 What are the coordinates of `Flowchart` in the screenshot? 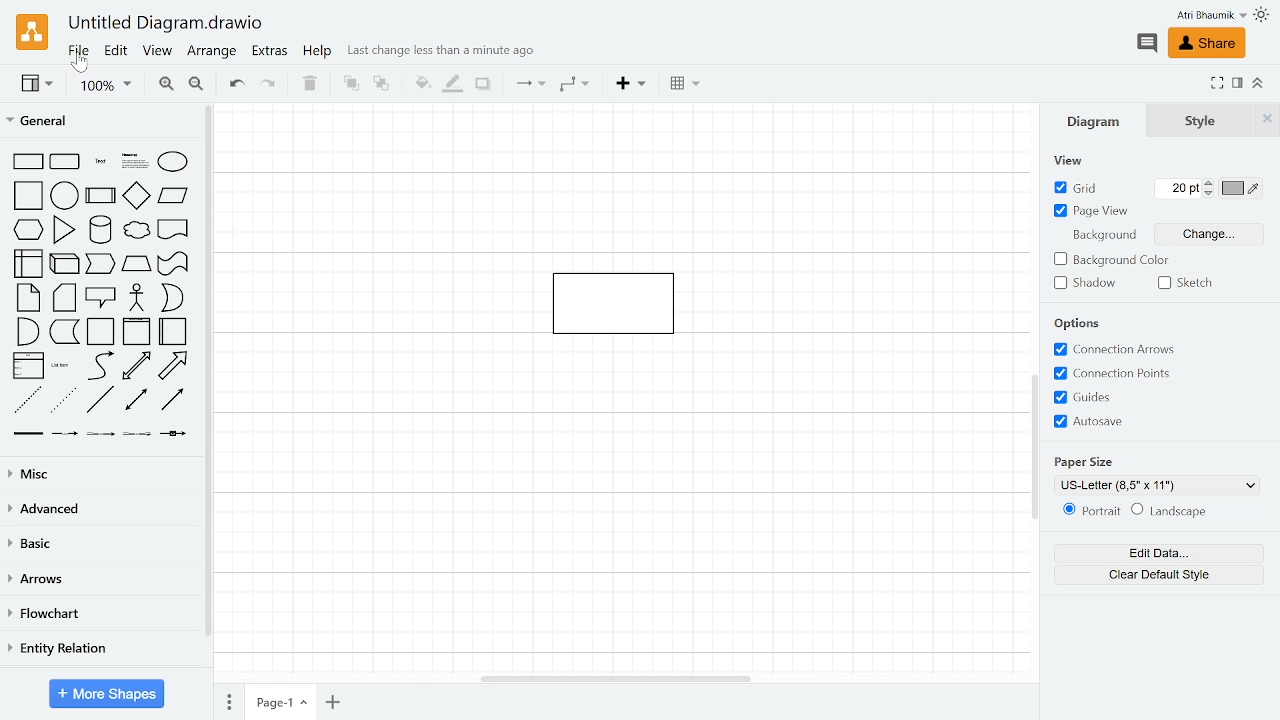 It's located at (105, 613).